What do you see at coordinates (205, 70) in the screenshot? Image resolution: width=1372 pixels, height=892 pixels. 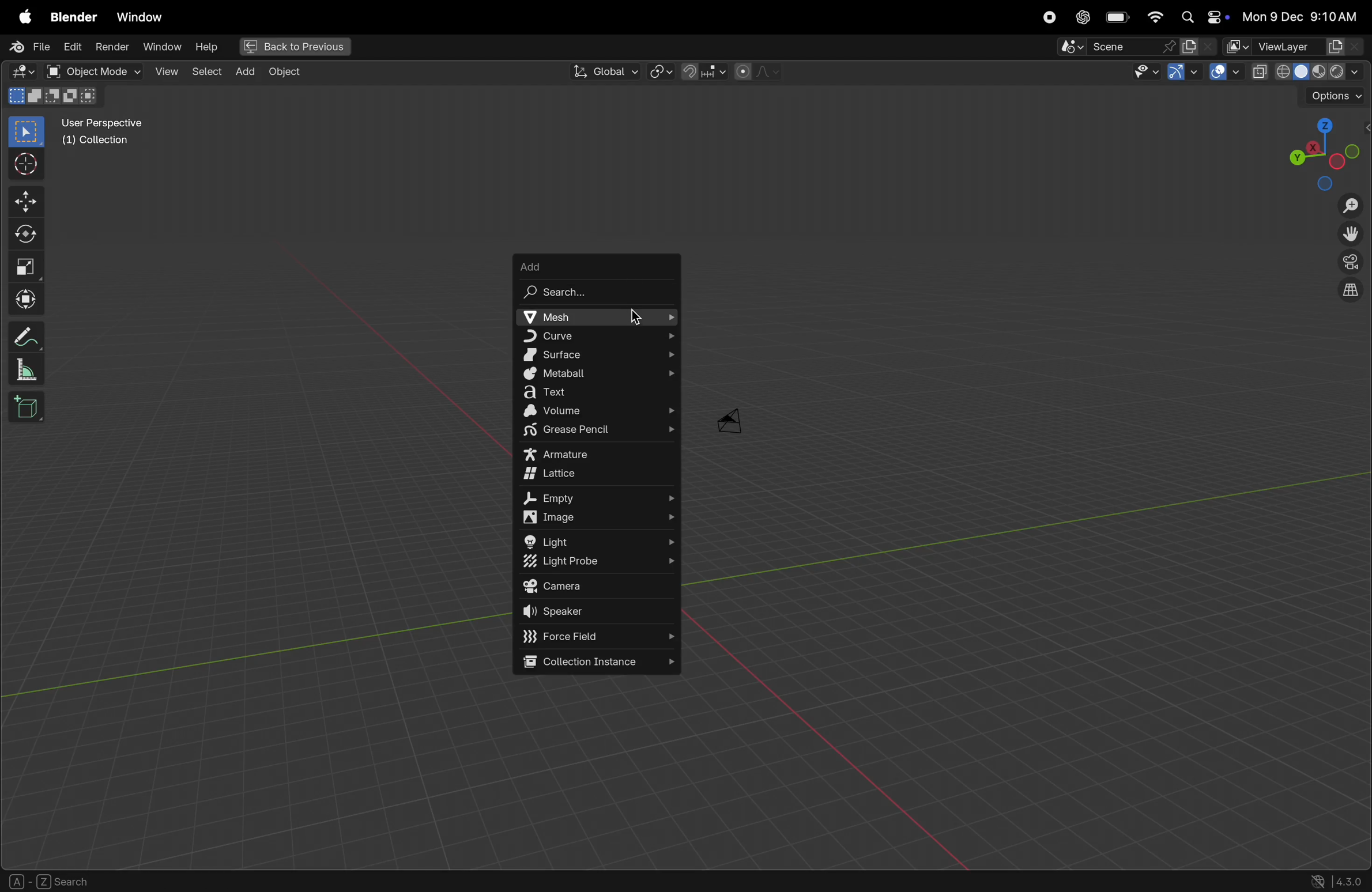 I see `select` at bounding box center [205, 70].